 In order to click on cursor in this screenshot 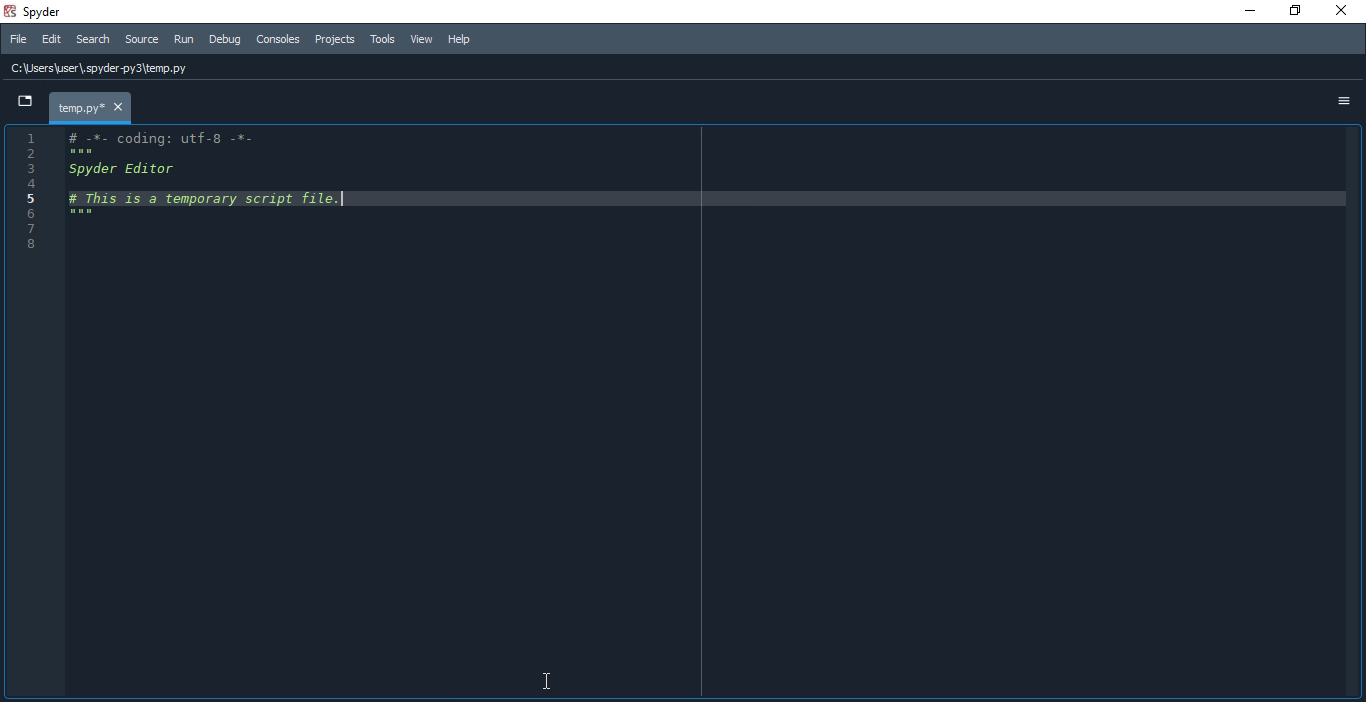, I will do `click(543, 677)`.